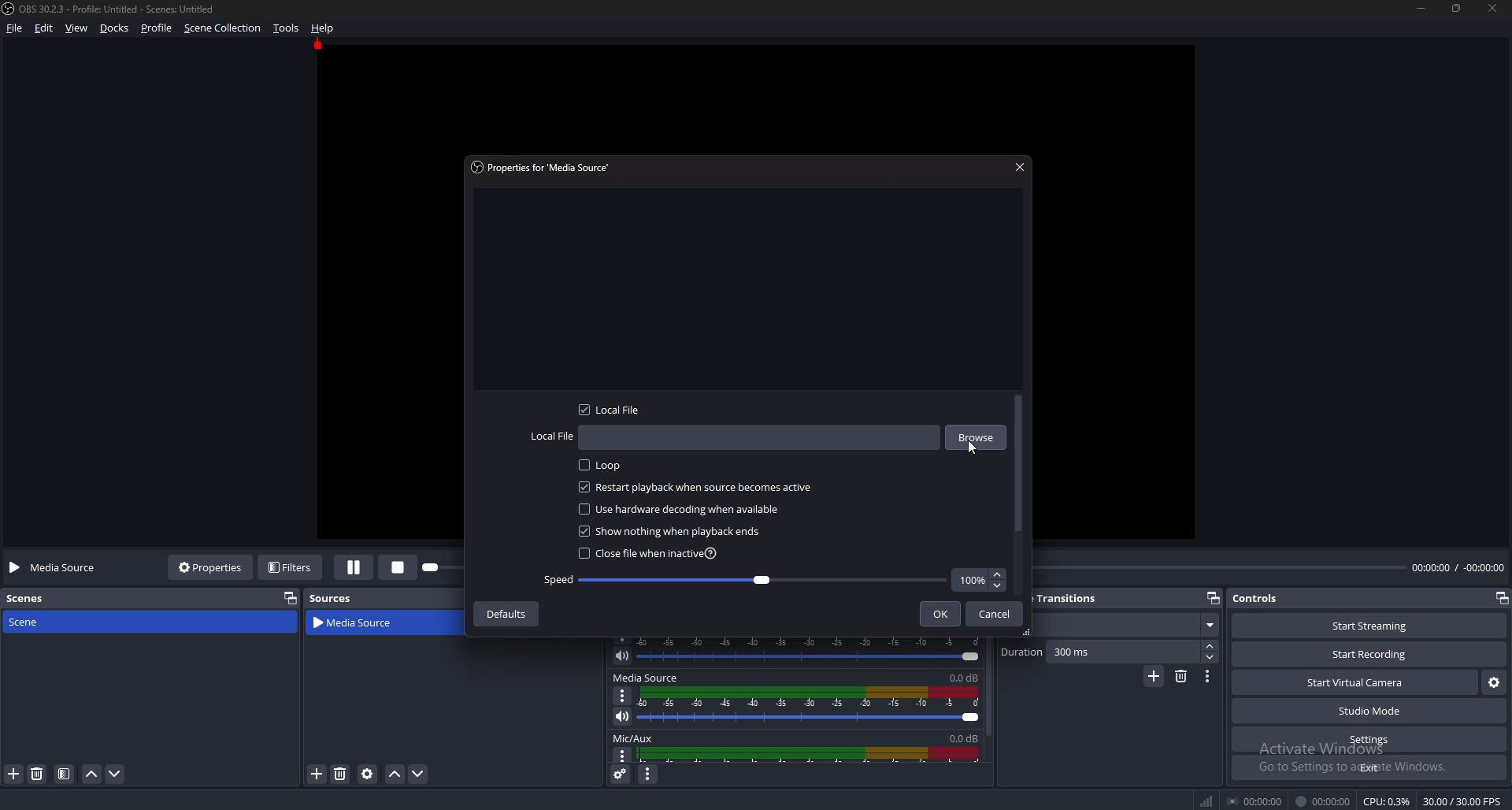 The height and width of the screenshot is (810, 1512). I want to click on move scene down, so click(116, 773).